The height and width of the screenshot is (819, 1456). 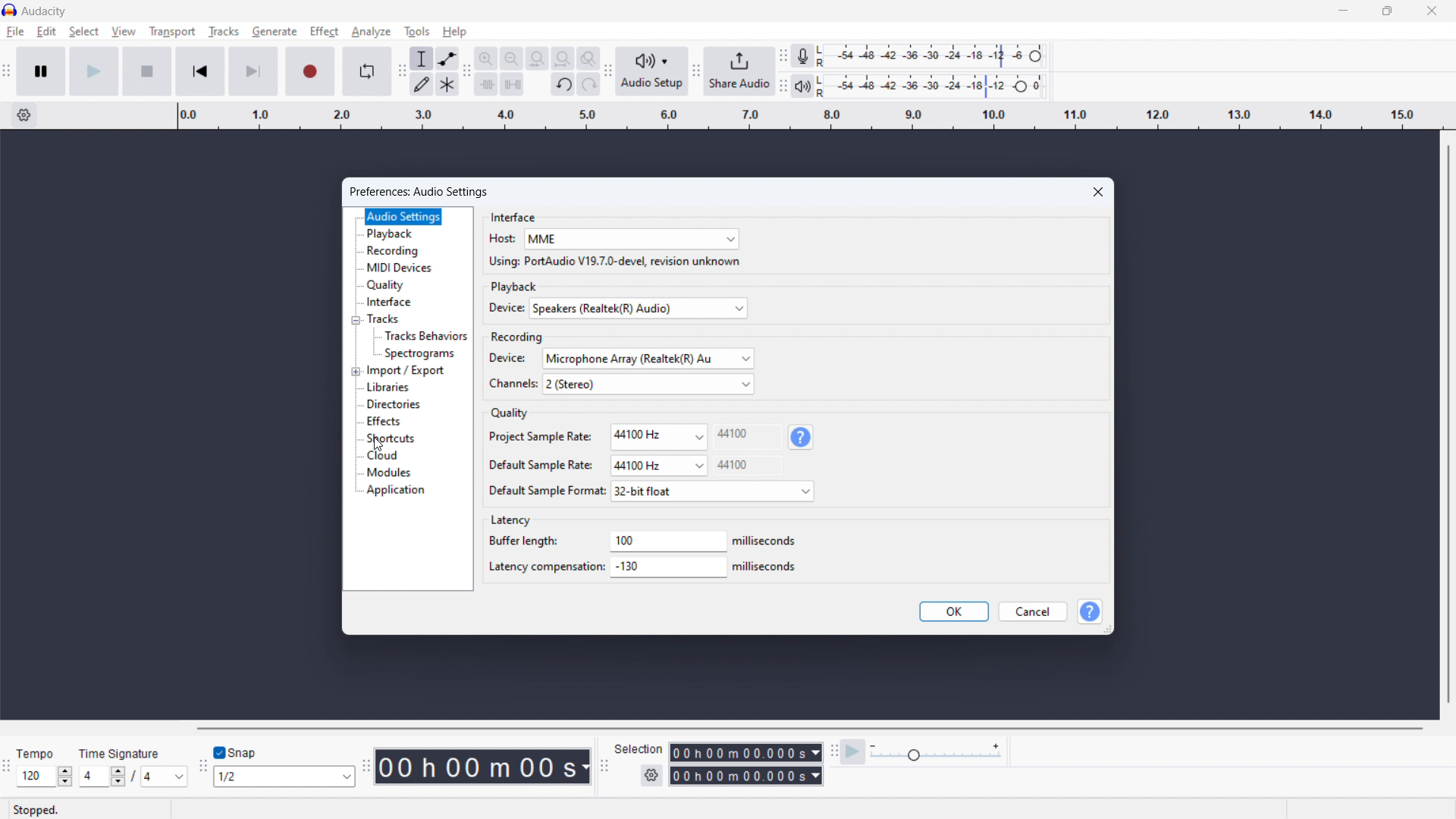 What do you see at coordinates (16, 31) in the screenshot?
I see `file` at bounding box center [16, 31].